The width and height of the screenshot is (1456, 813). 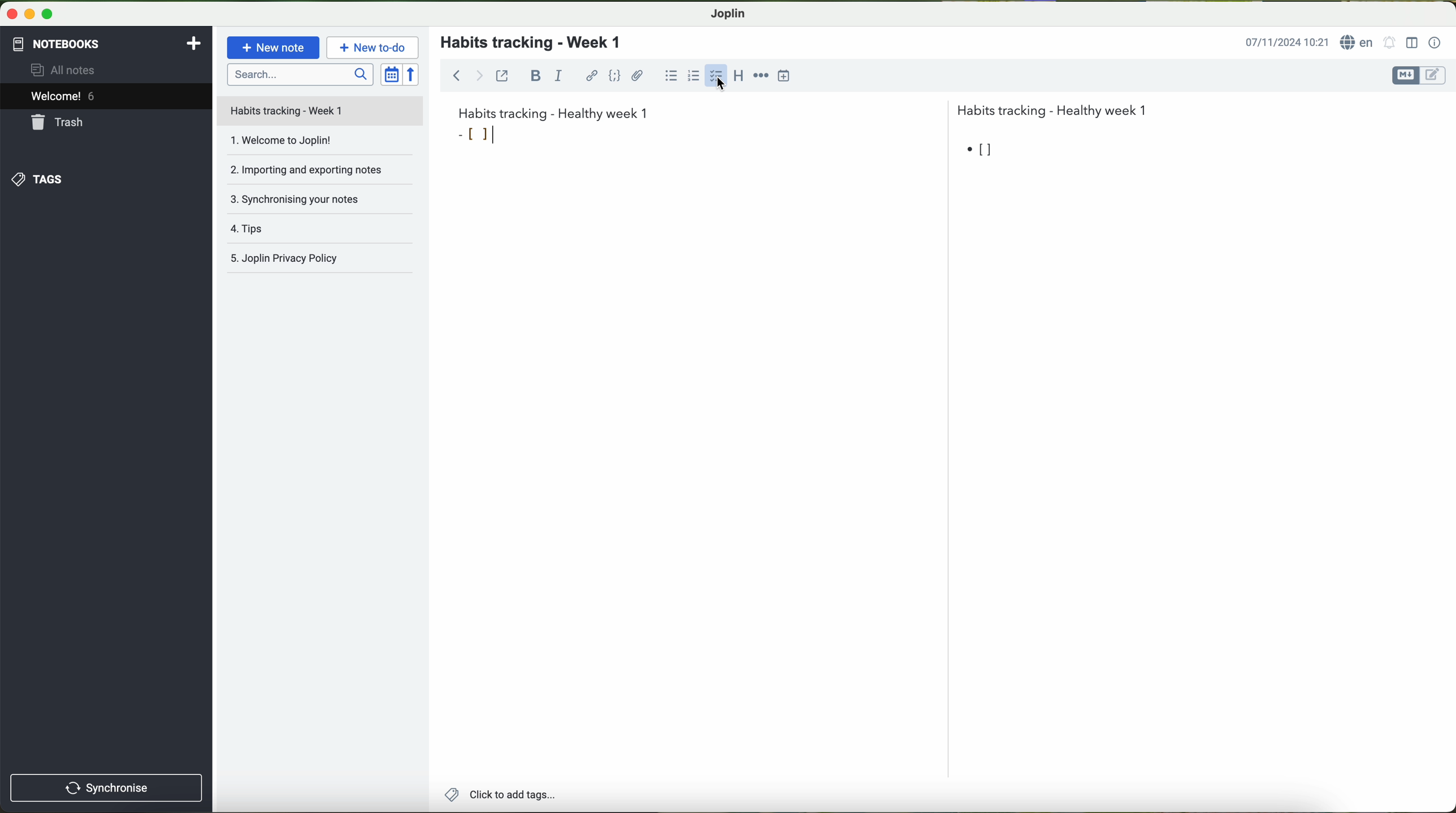 I want to click on file title, so click(x=320, y=111).